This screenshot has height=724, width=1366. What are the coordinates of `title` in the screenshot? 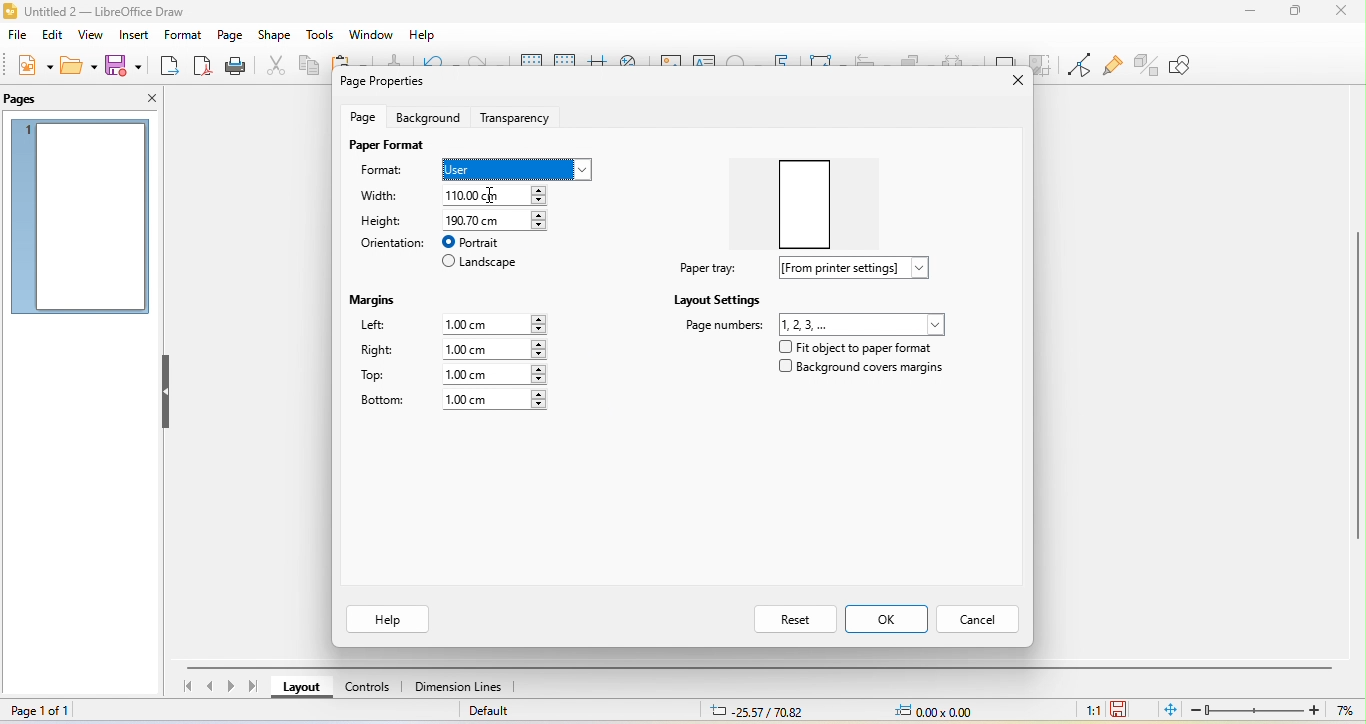 It's located at (122, 10).